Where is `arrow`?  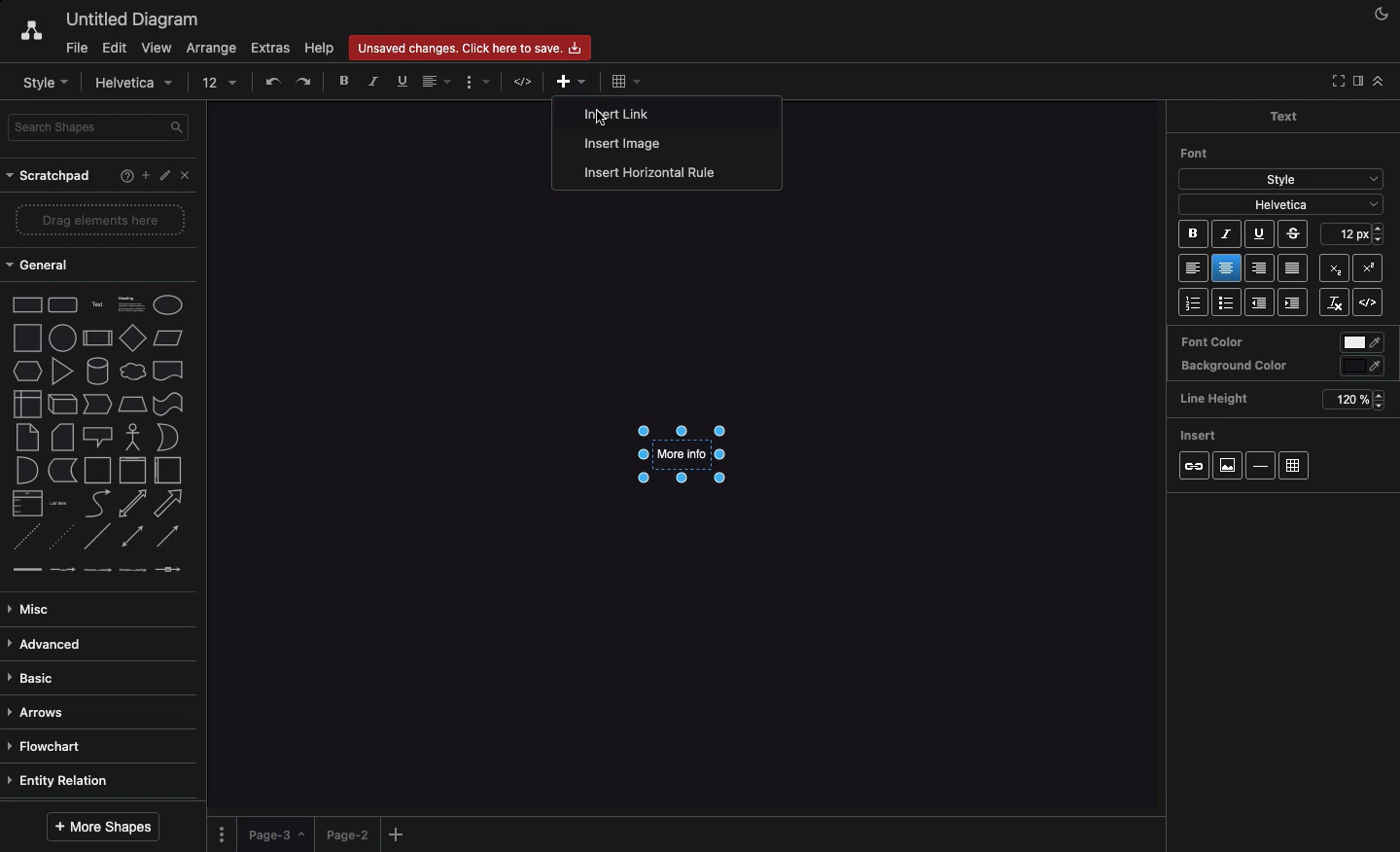 arrow is located at coordinates (169, 504).